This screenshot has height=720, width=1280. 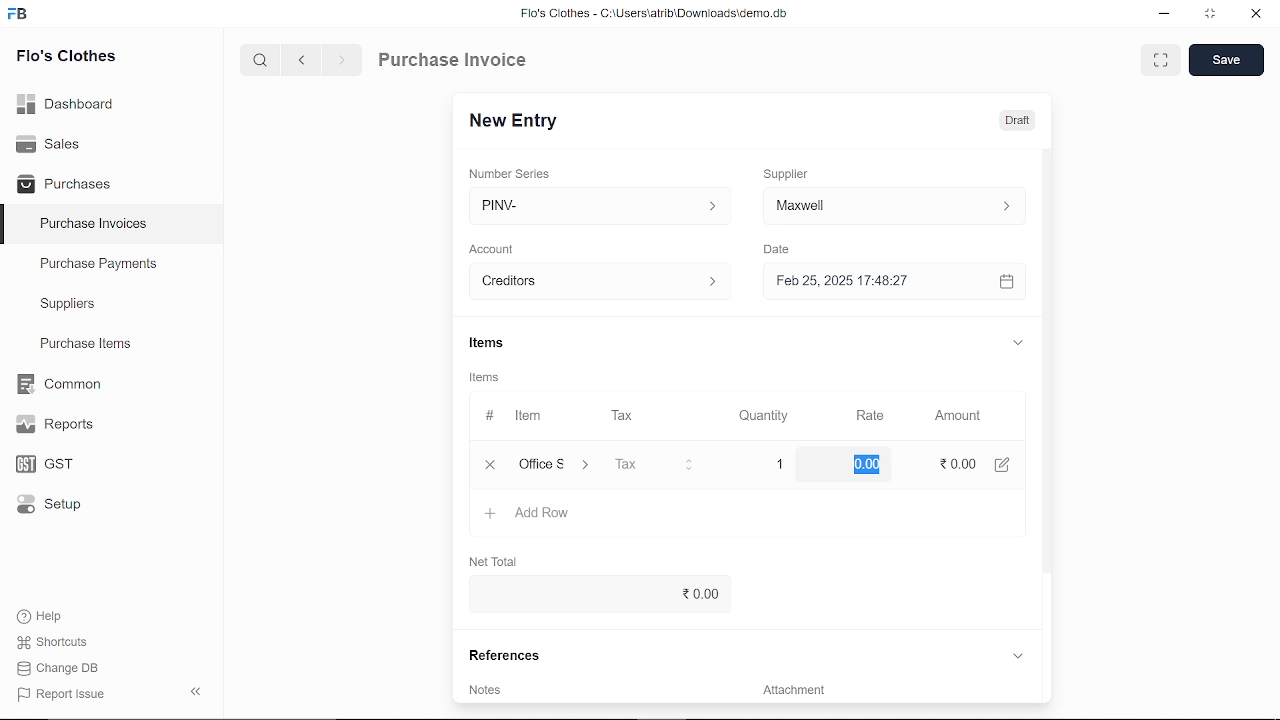 What do you see at coordinates (42, 616) in the screenshot?
I see `Help` at bounding box center [42, 616].